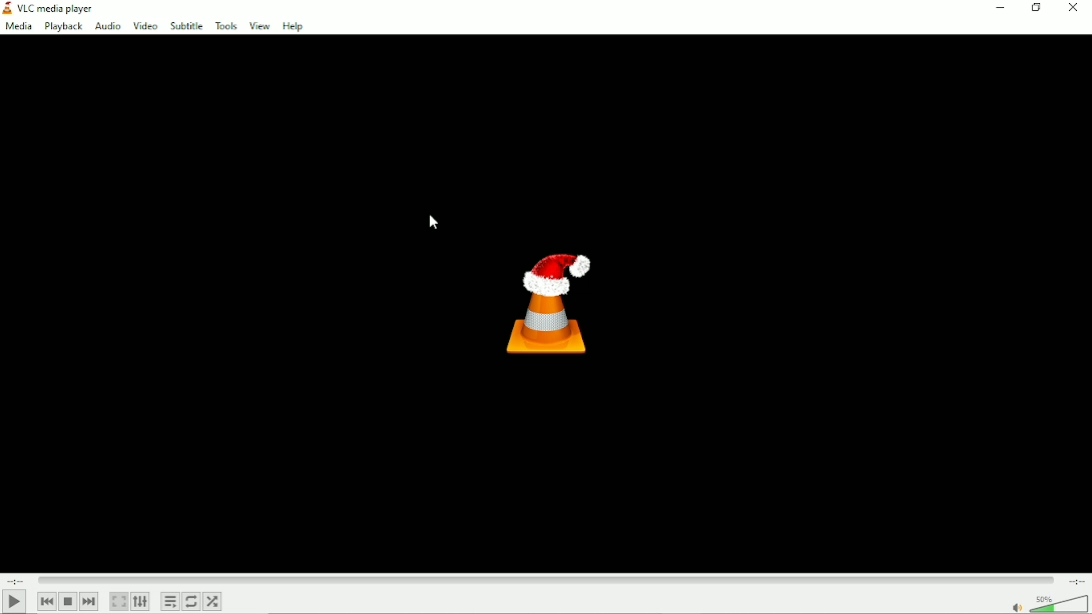 The height and width of the screenshot is (614, 1092). Describe the element at coordinates (258, 26) in the screenshot. I see `View` at that location.